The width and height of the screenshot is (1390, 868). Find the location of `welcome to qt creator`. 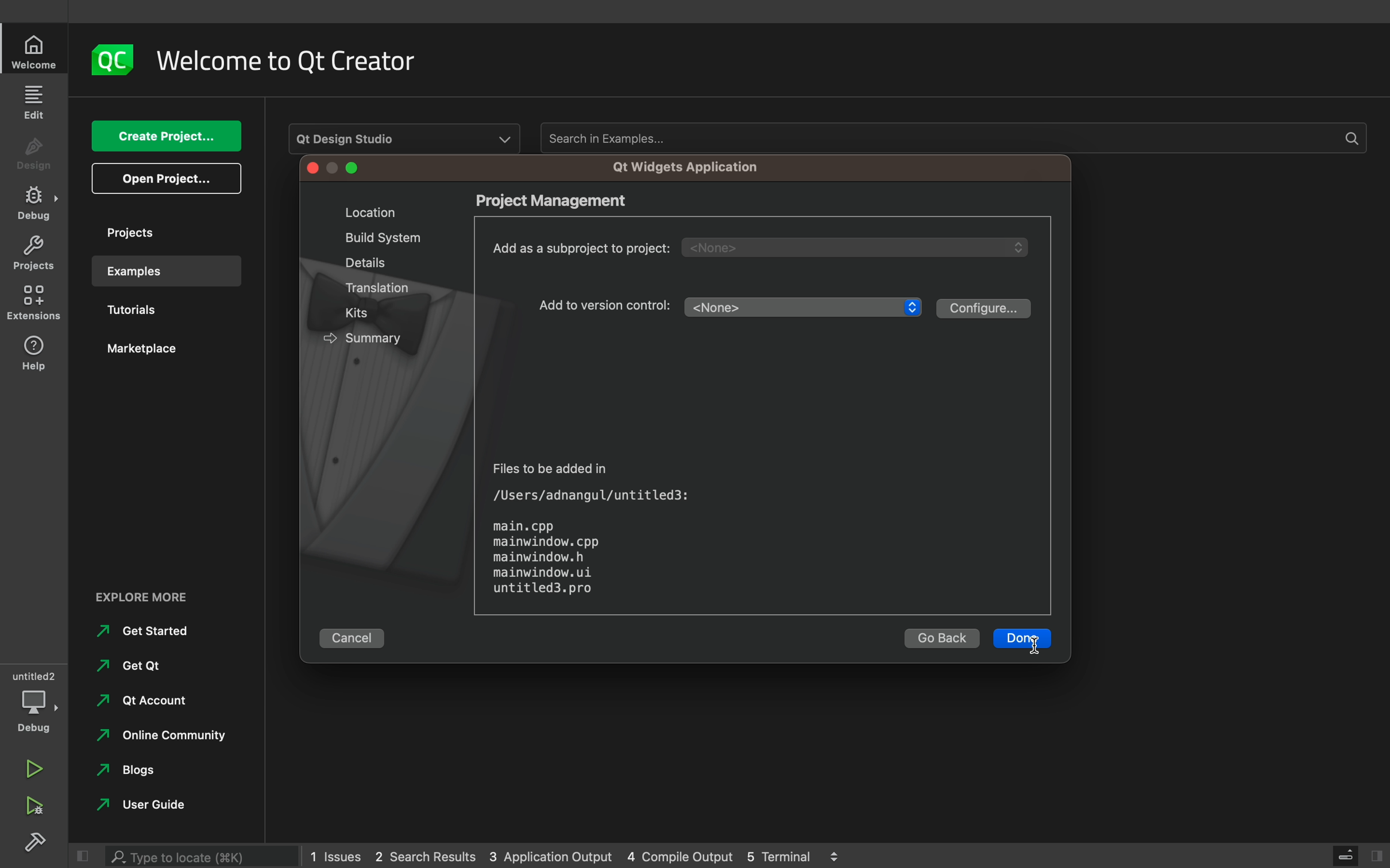

welcome to qt creator is located at coordinates (296, 61).